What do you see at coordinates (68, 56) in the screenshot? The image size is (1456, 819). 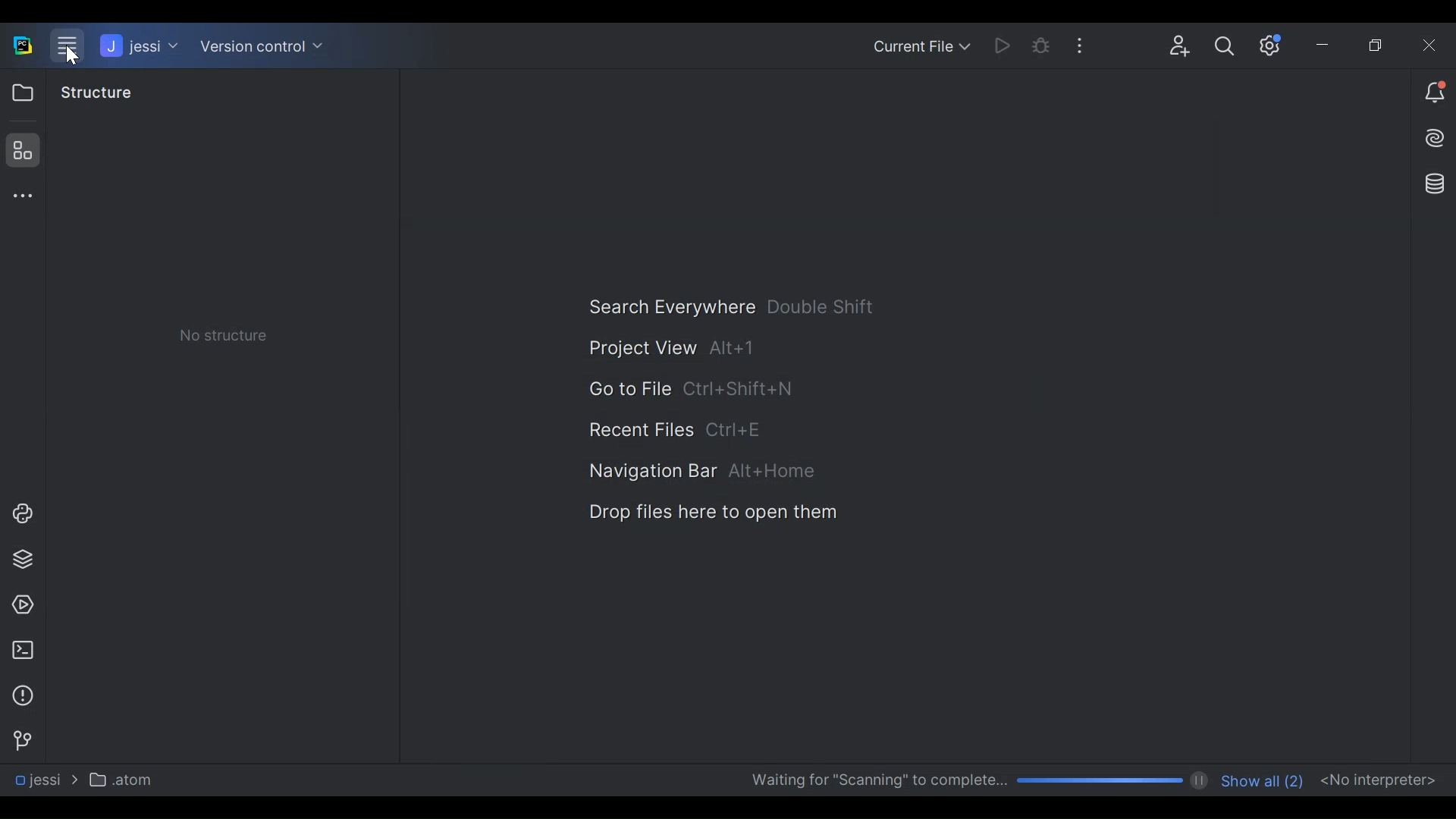 I see `Cursor` at bounding box center [68, 56].